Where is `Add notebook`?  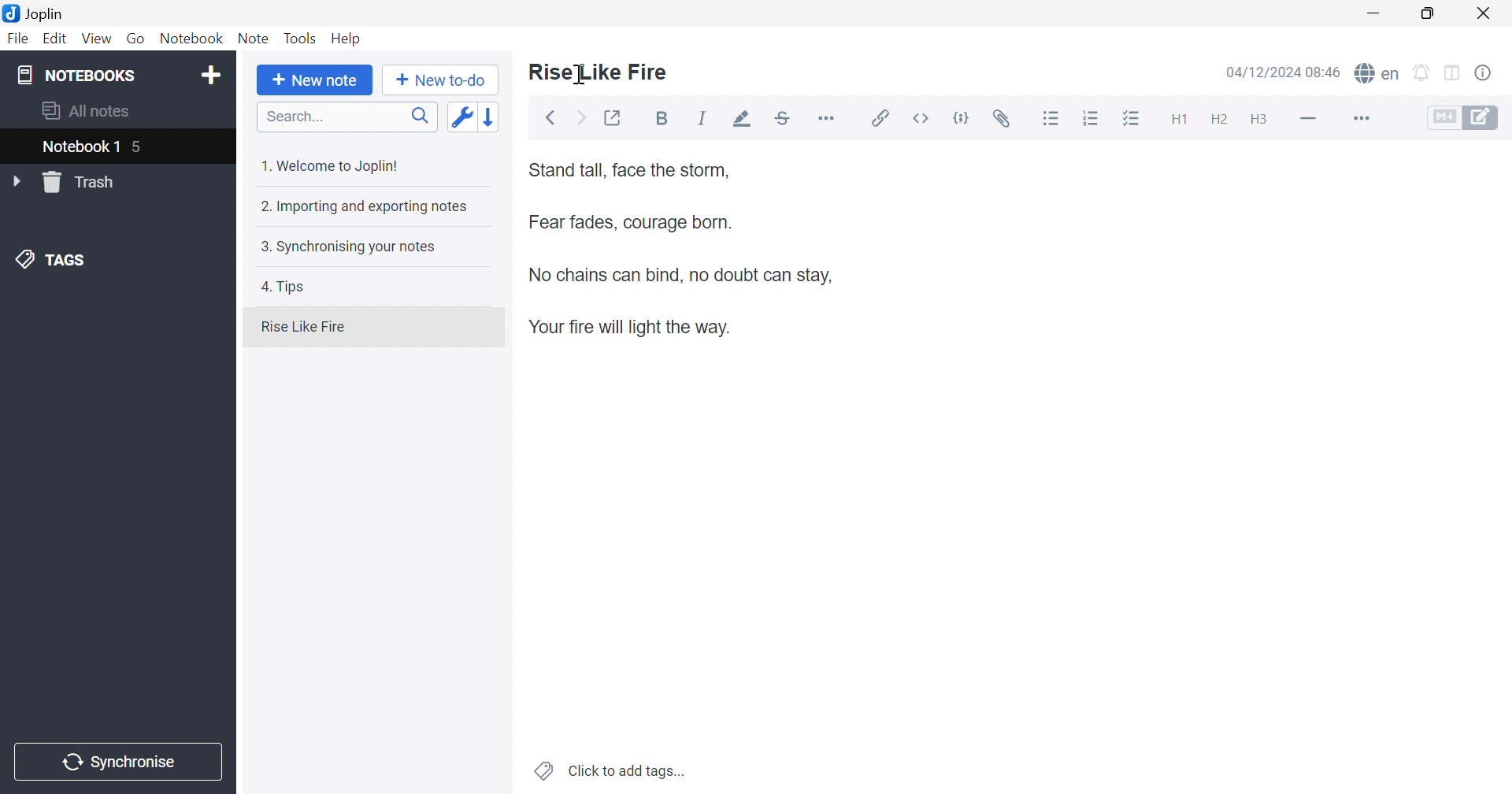
Add notebook is located at coordinates (213, 74).